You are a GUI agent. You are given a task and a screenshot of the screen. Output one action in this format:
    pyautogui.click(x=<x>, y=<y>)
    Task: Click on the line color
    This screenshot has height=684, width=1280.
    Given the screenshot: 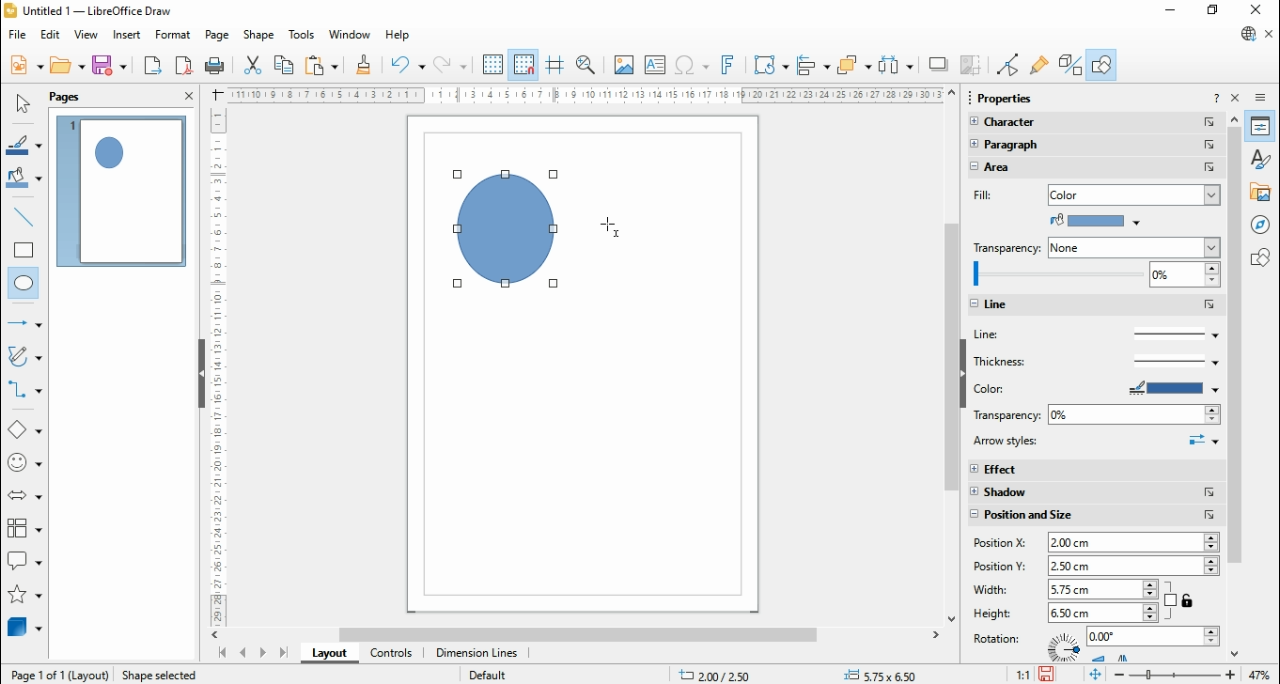 What is the action you would take?
    pyautogui.click(x=26, y=145)
    